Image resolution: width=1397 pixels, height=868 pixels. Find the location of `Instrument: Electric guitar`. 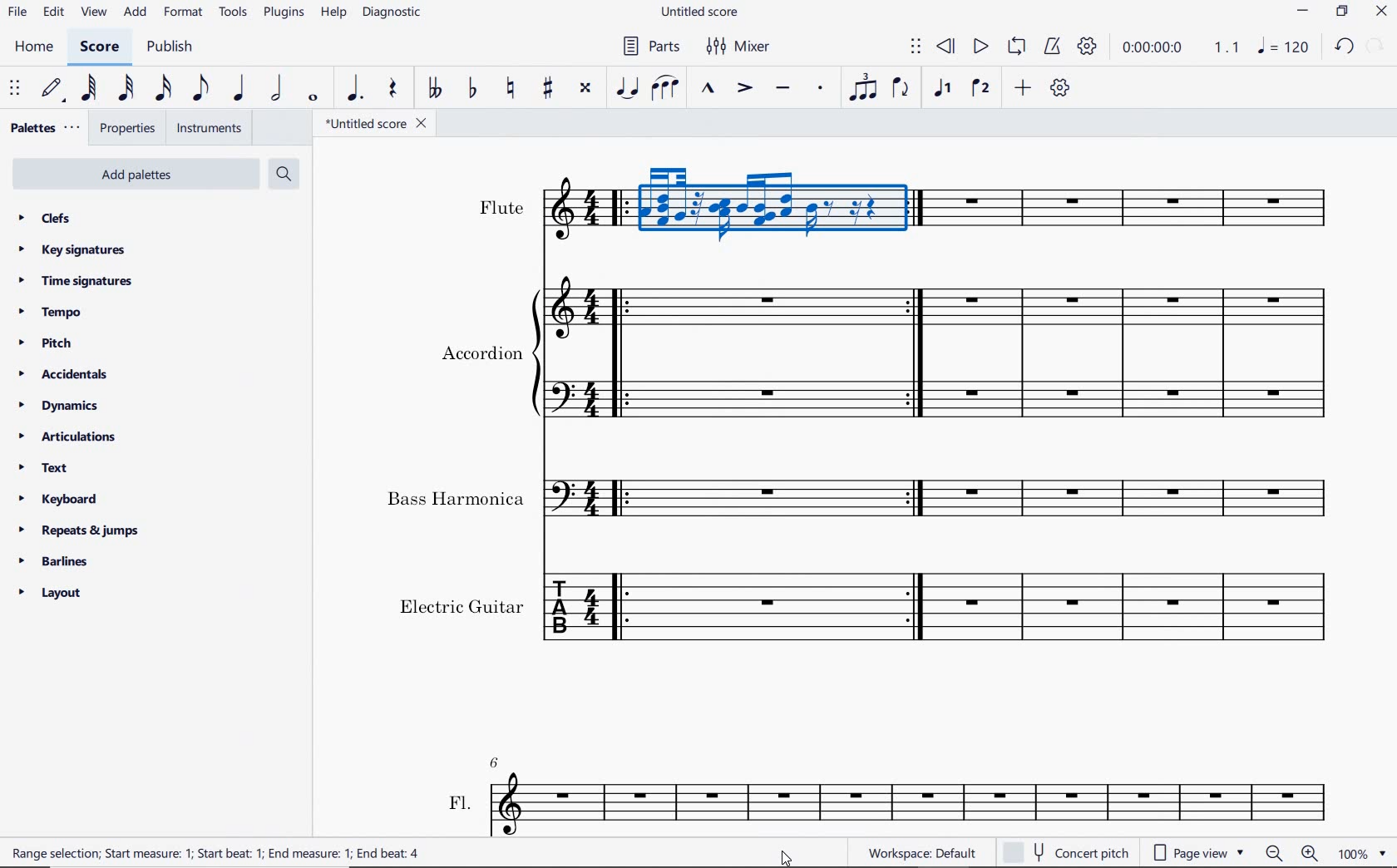

Instrument: Electric guitar is located at coordinates (870, 606).